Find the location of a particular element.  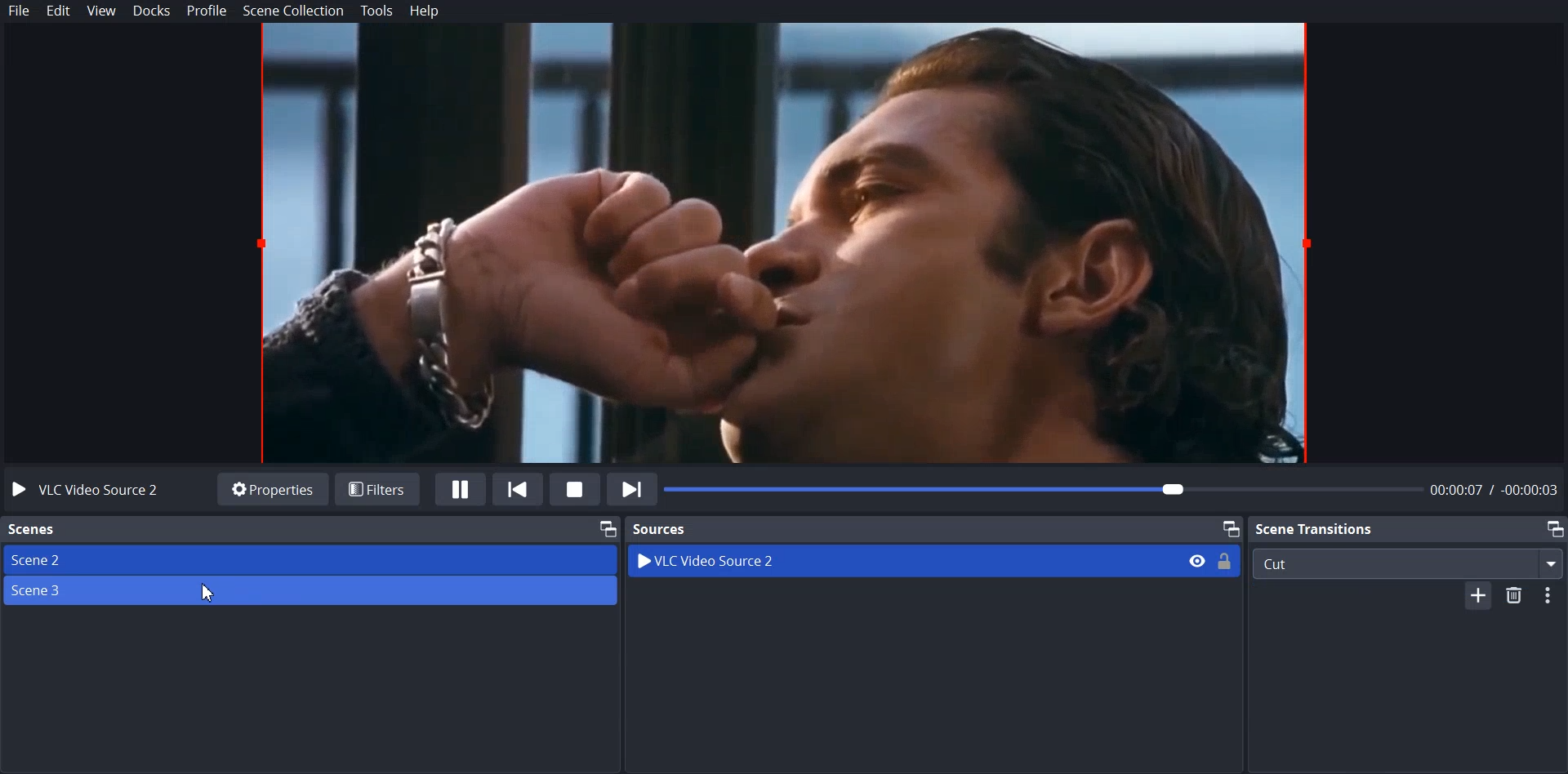

VLC Video Source is located at coordinates (872, 561).